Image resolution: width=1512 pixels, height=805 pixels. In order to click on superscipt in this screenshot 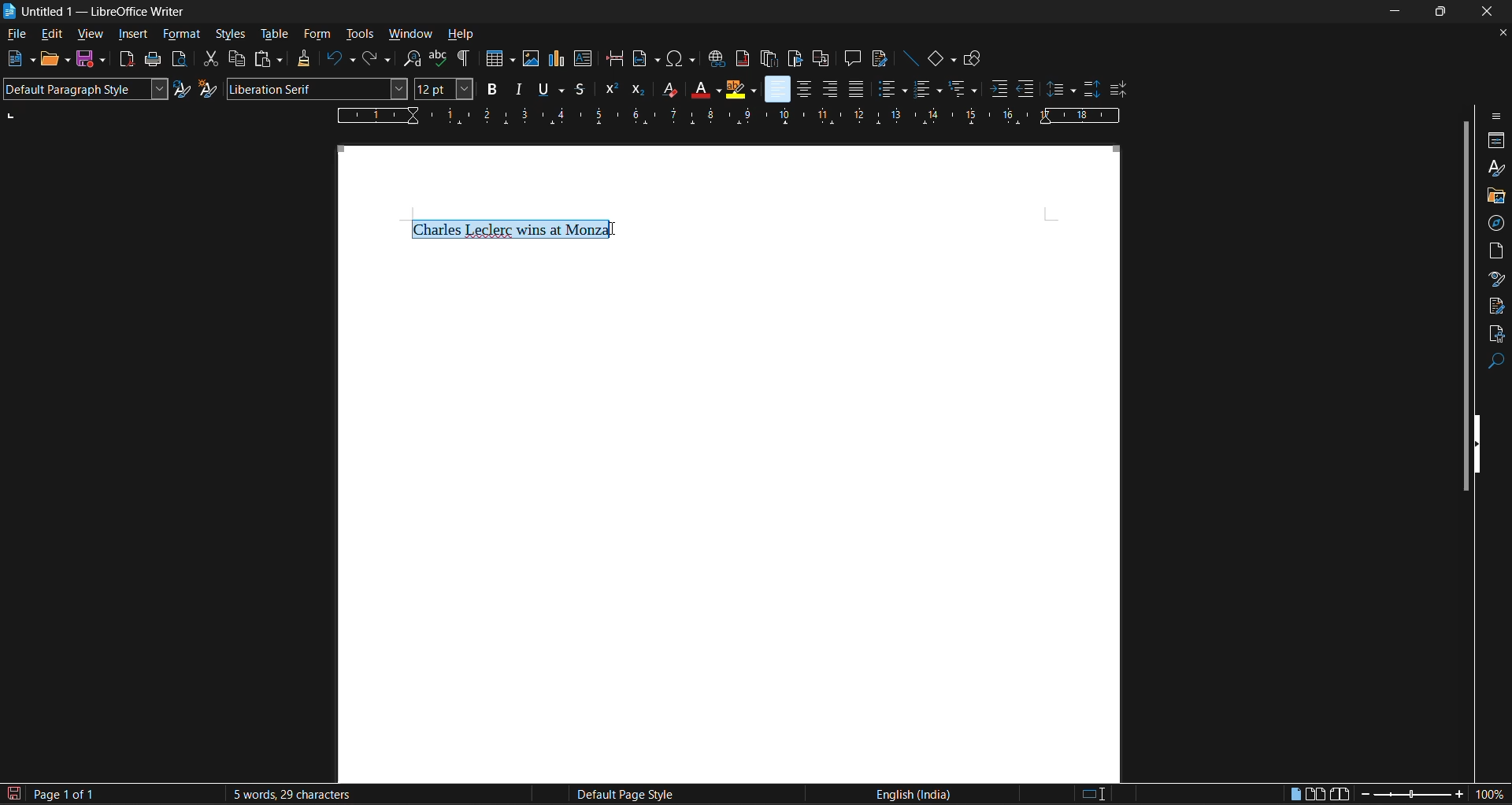, I will do `click(610, 90)`.